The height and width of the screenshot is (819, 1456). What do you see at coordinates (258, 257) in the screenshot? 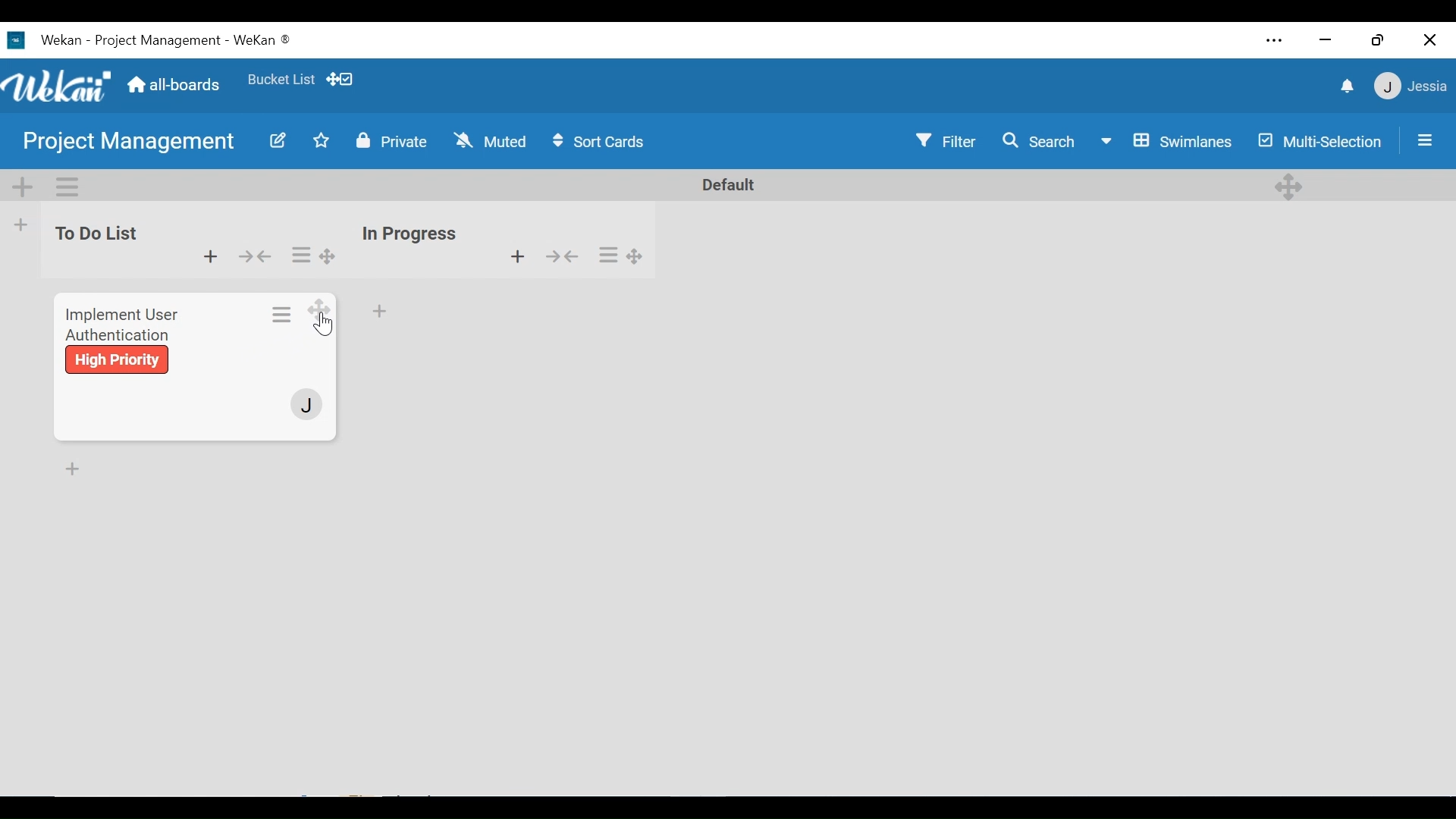
I see `collapse` at bounding box center [258, 257].